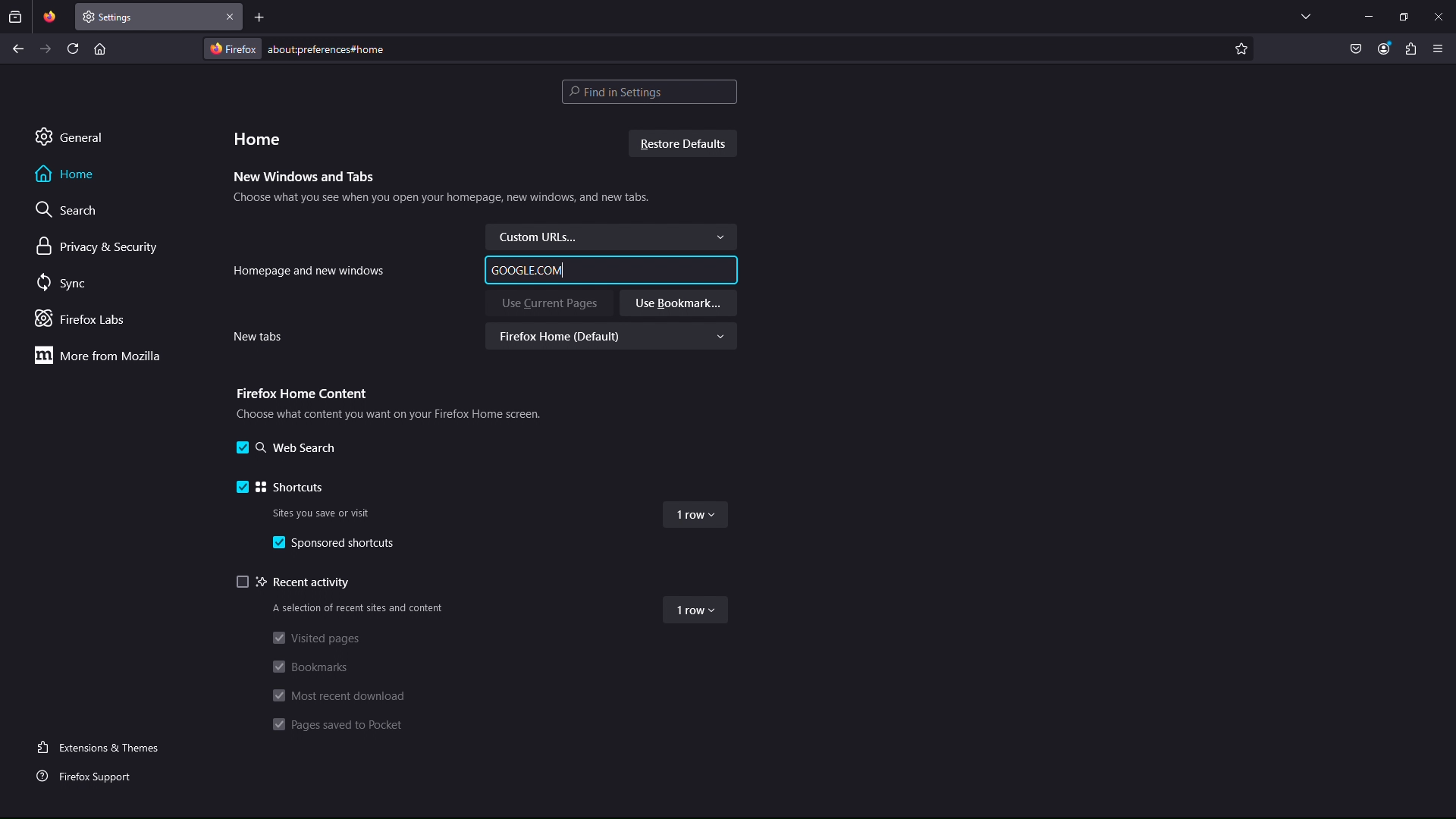  What do you see at coordinates (1241, 49) in the screenshot?
I see `Add to favorite` at bounding box center [1241, 49].